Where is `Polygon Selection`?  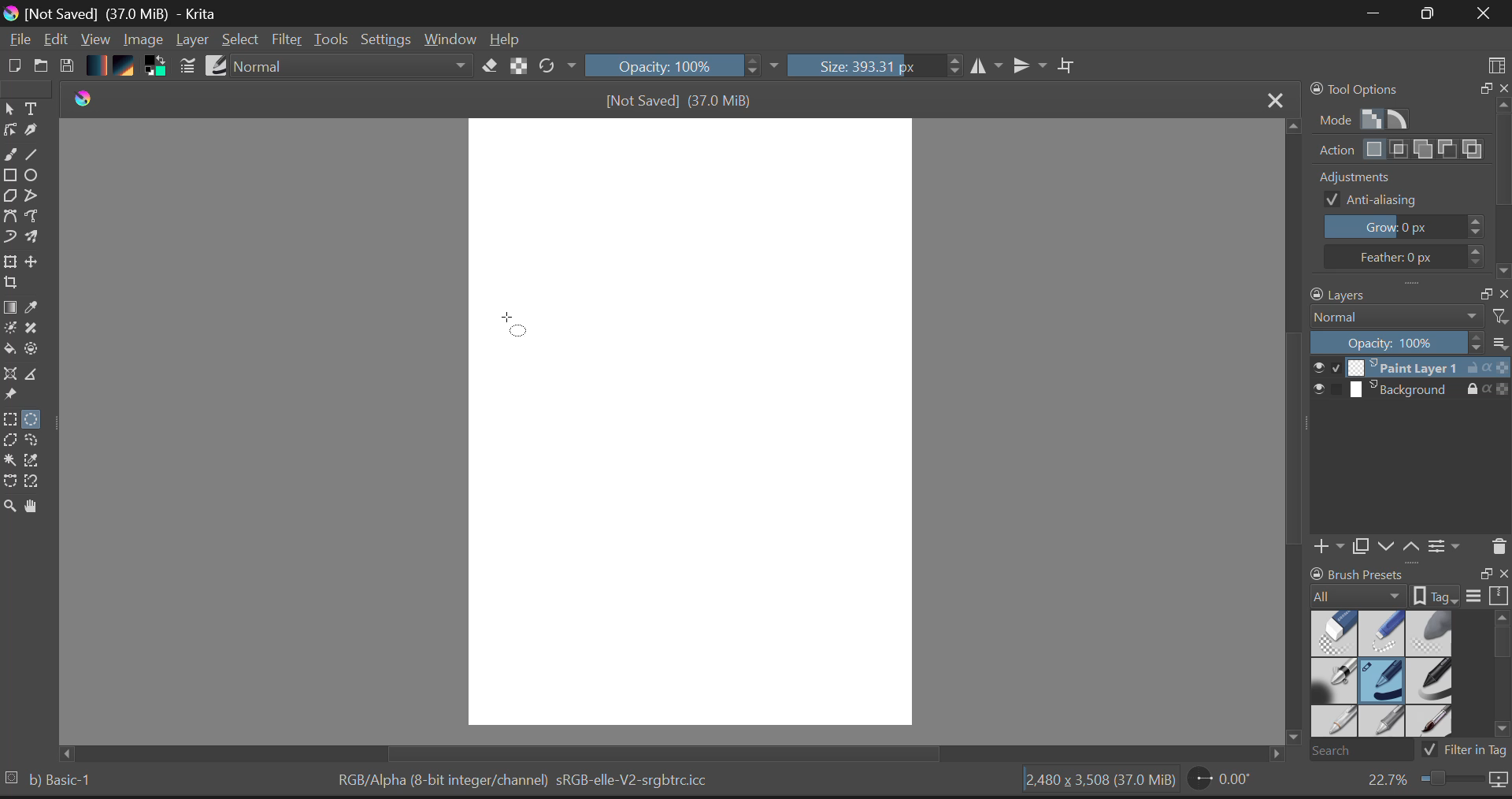 Polygon Selection is located at coordinates (13, 443).